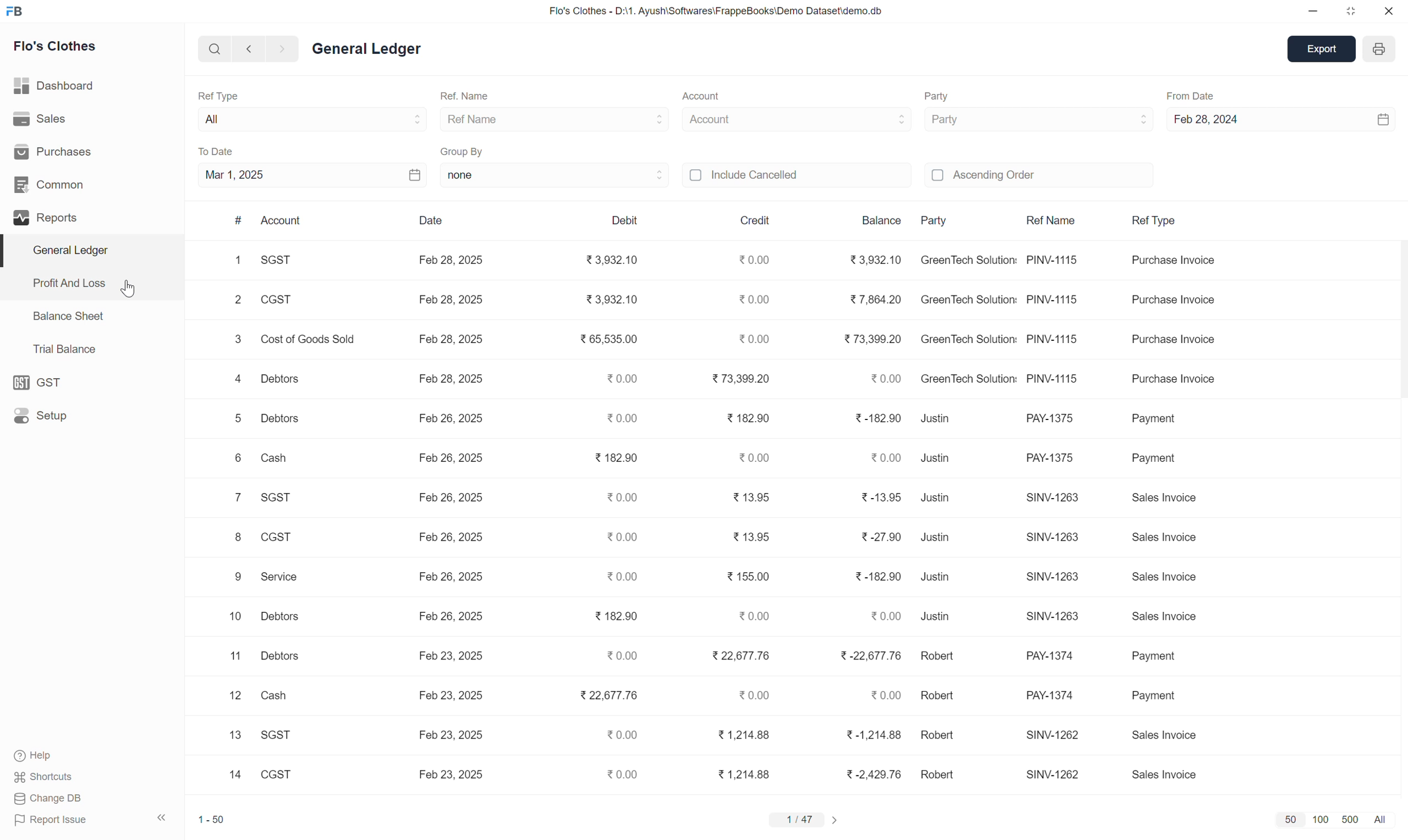  What do you see at coordinates (452, 458) in the screenshot?
I see `Feb 26, 2025` at bounding box center [452, 458].